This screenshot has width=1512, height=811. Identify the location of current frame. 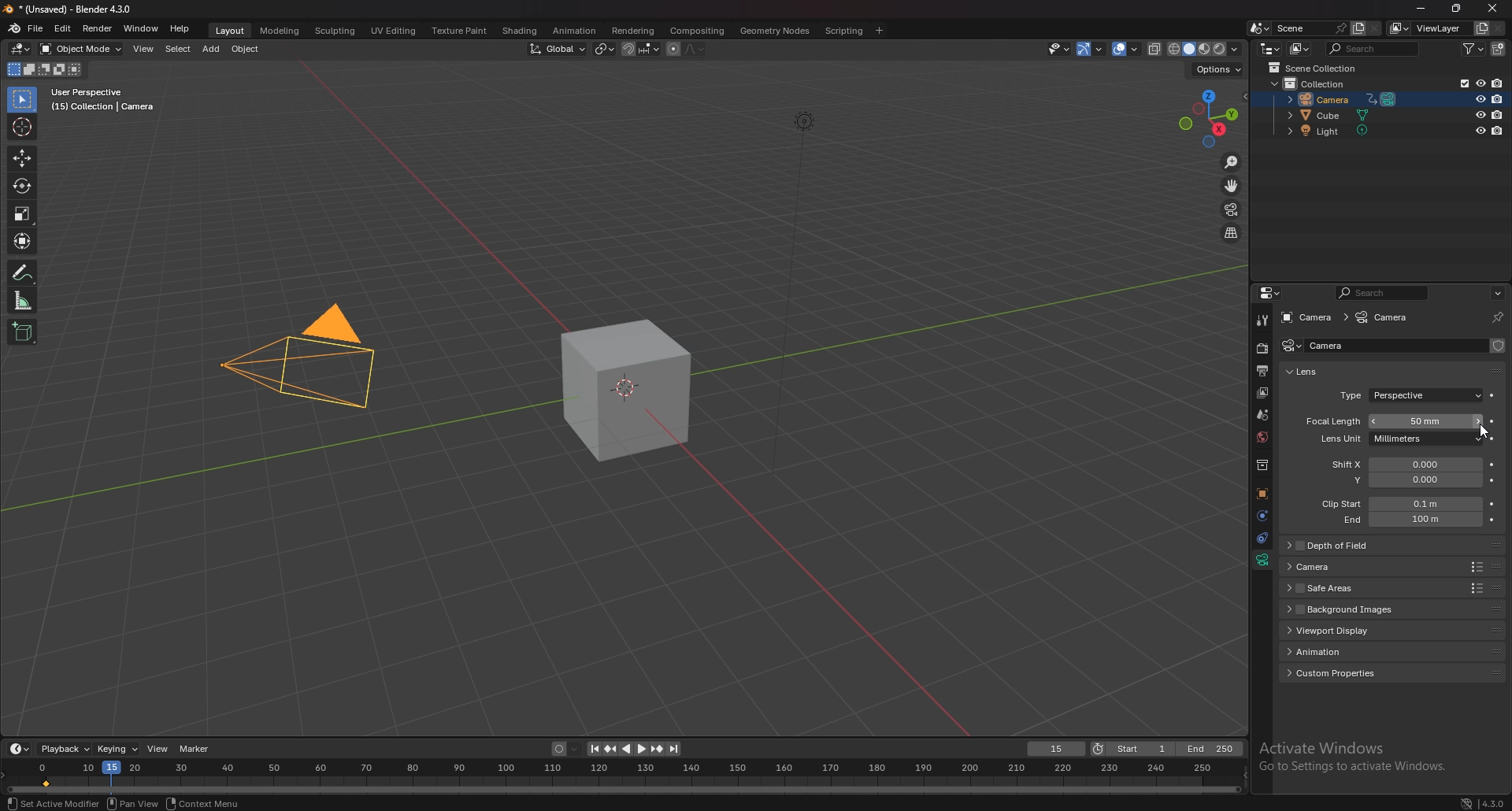
(1056, 750).